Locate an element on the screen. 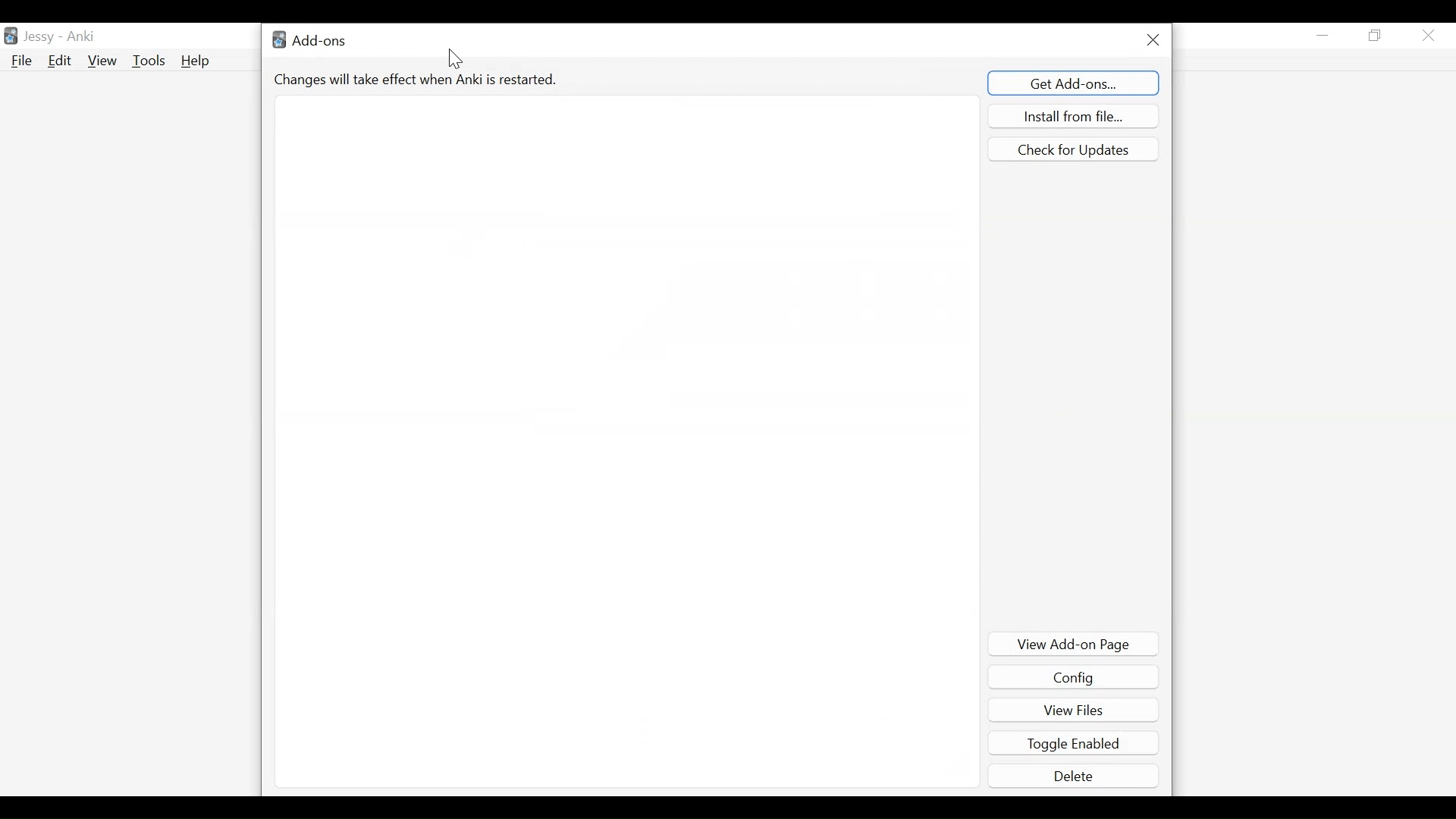 The height and width of the screenshot is (819, 1456). File is located at coordinates (21, 61).